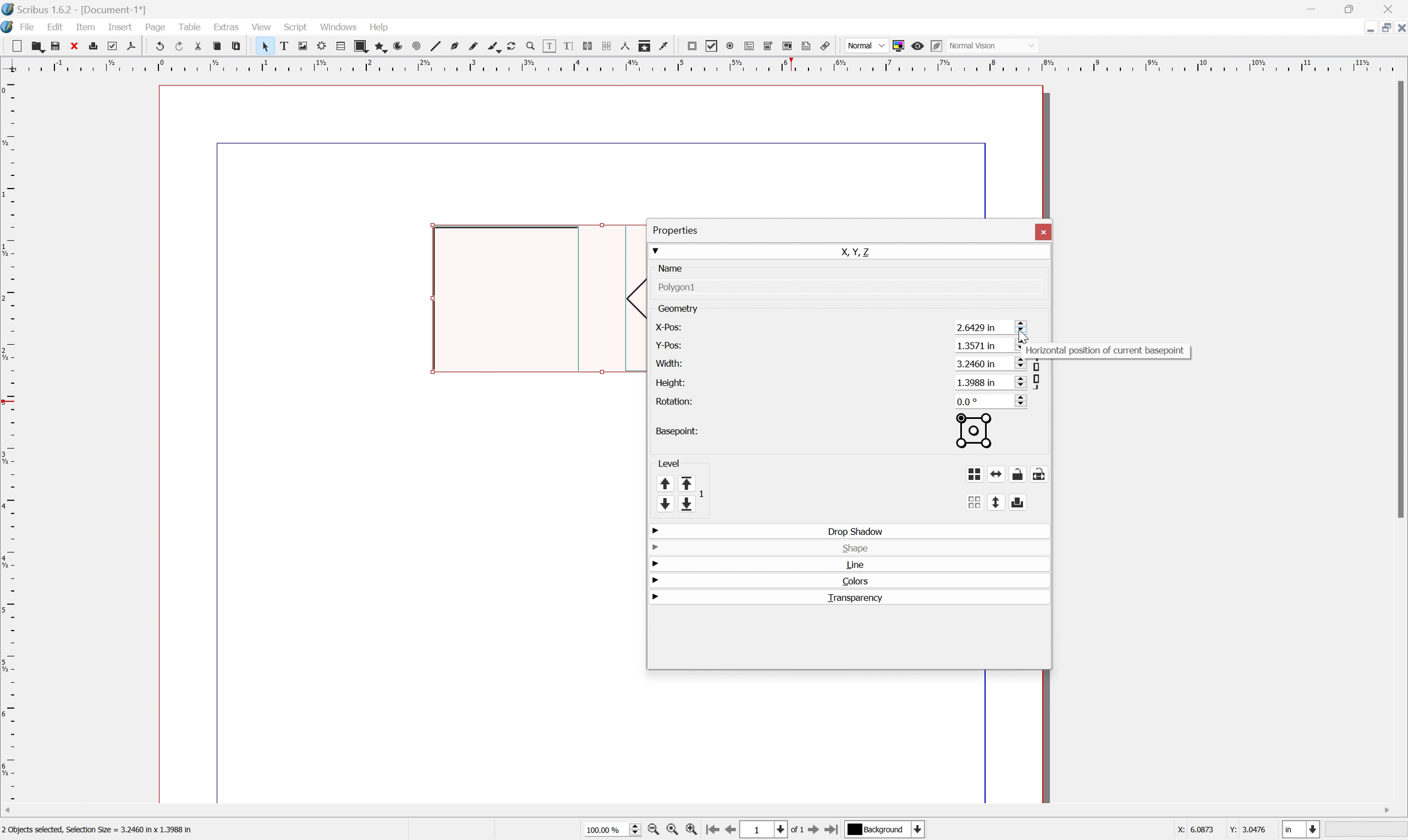  Describe the element at coordinates (1352, 8) in the screenshot. I see `Restore Down` at that location.